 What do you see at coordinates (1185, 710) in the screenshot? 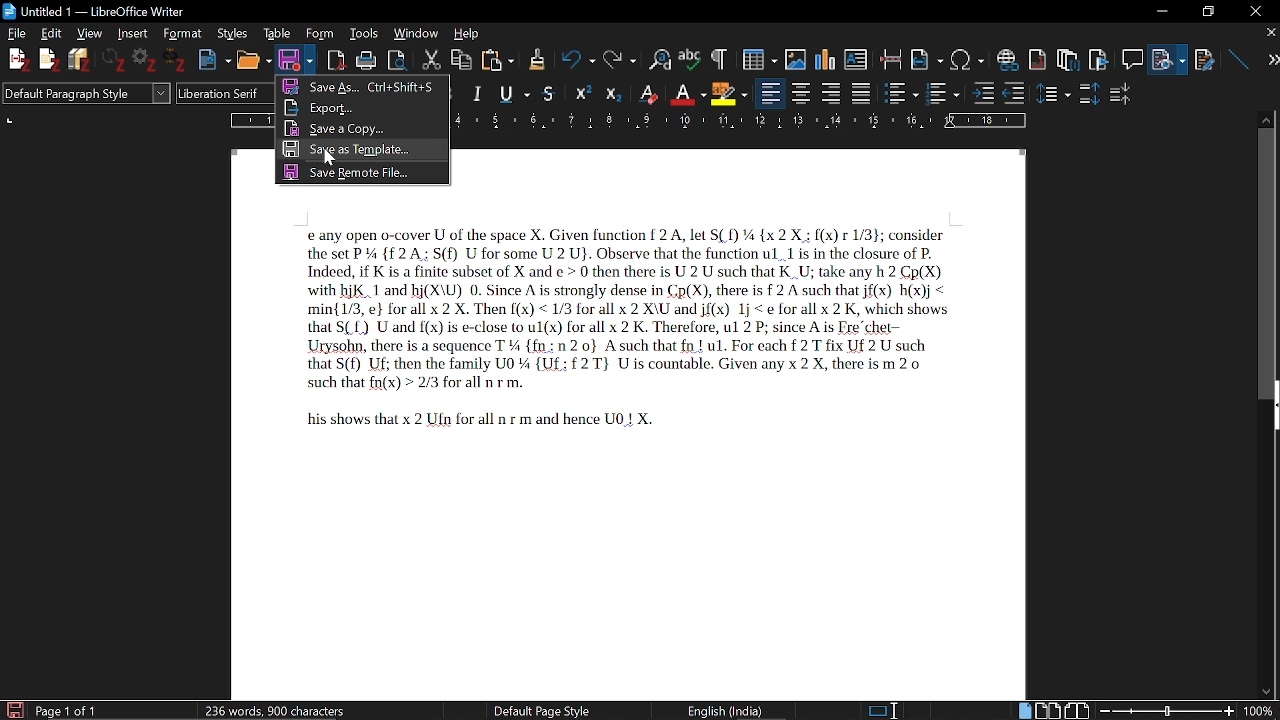
I see `change zoom` at bounding box center [1185, 710].